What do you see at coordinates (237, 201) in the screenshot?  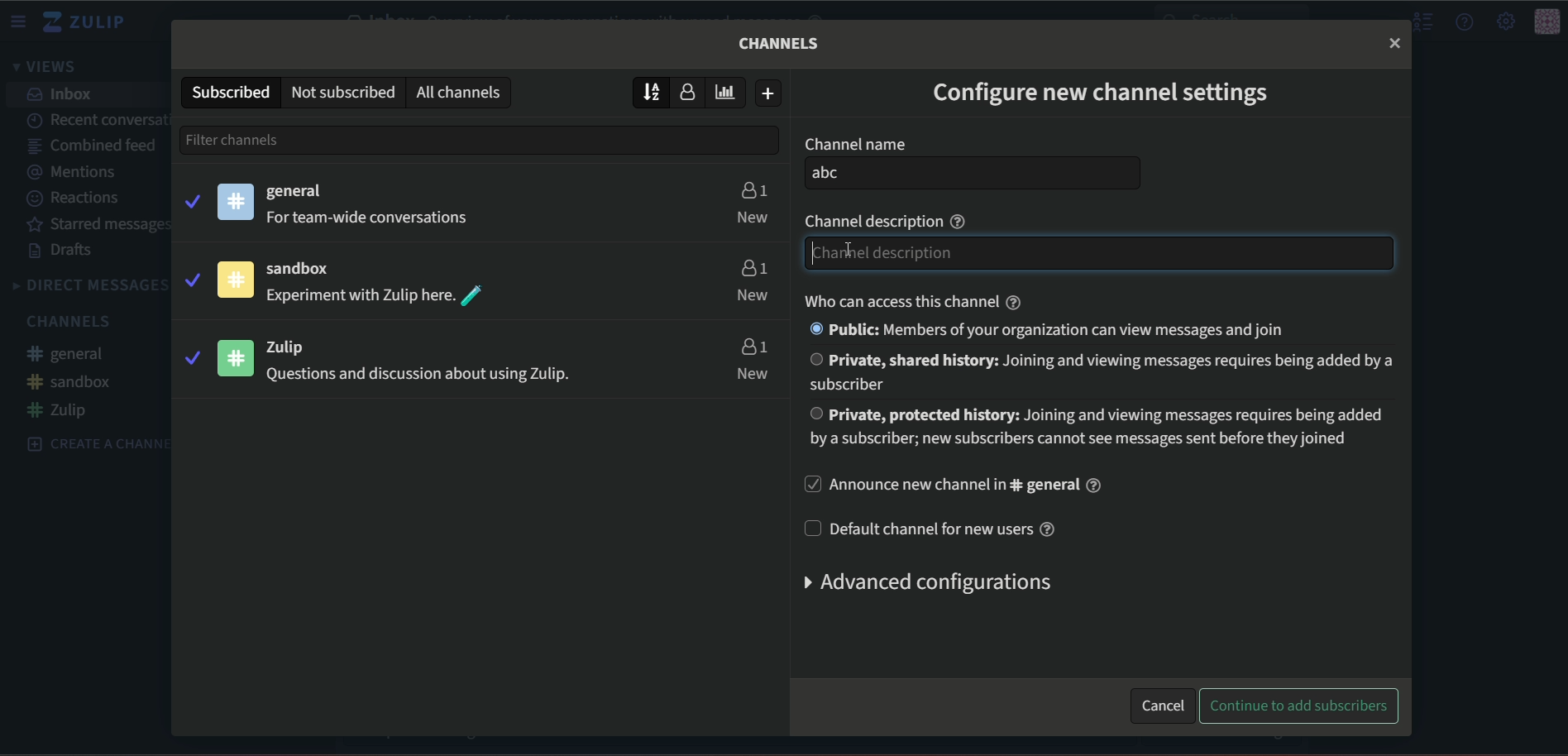 I see `icon` at bounding box center [237, 201].